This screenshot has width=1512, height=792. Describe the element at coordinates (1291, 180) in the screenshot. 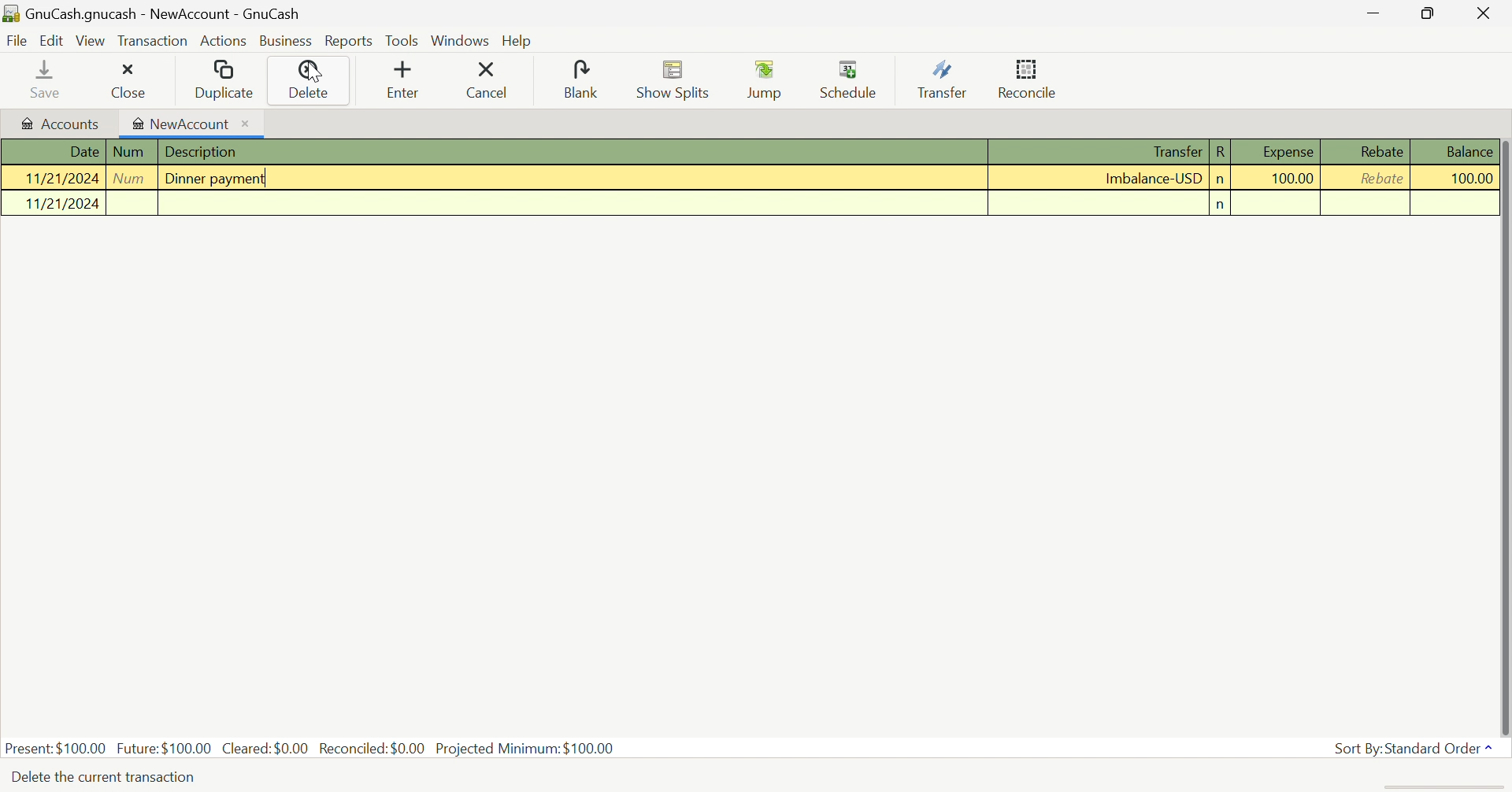

I see `100.00` at that location.